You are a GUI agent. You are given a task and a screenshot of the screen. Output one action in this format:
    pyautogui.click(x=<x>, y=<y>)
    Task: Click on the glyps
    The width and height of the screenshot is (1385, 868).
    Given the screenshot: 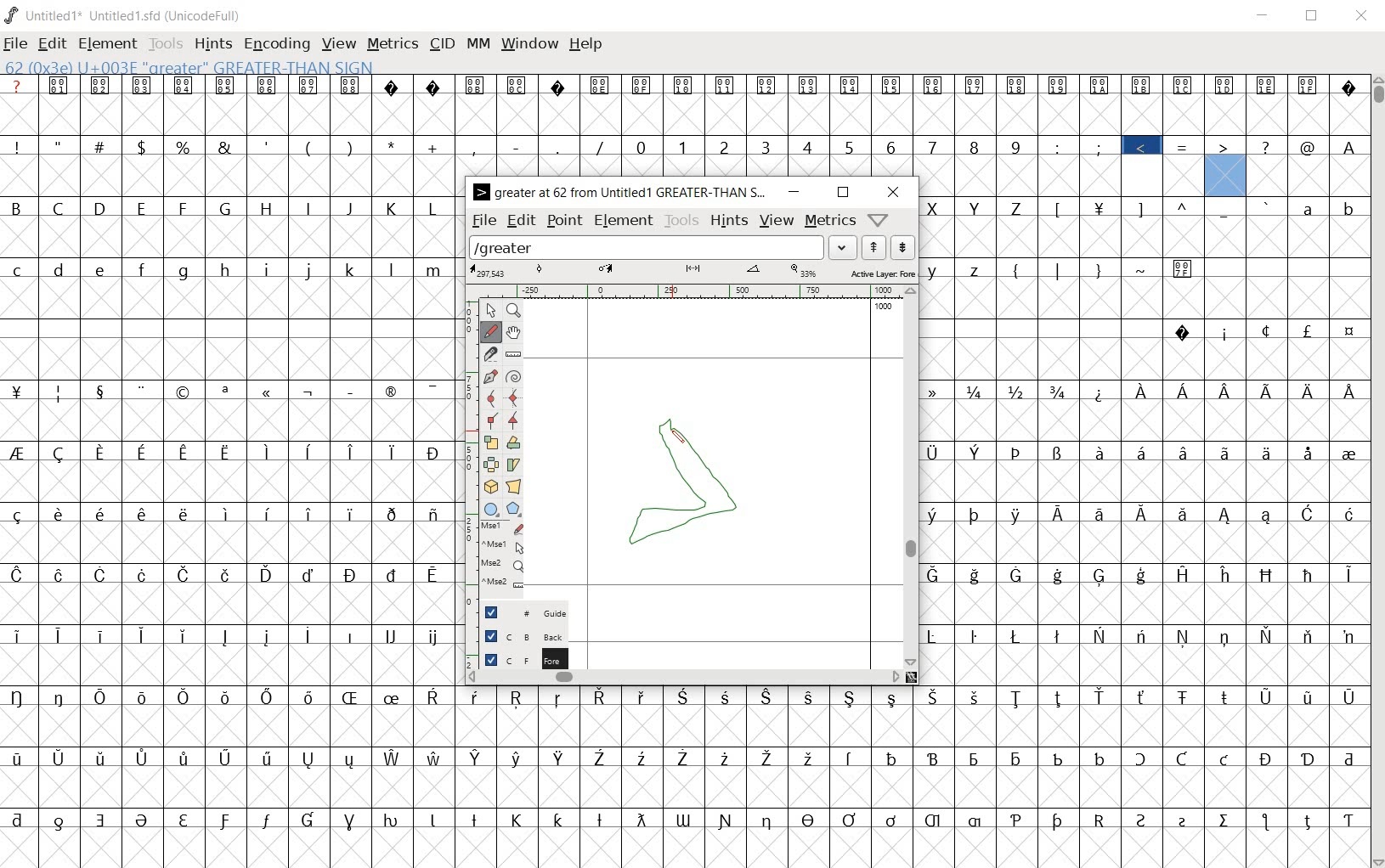 What is the action you would take?
    pyautogui.click(x=1309, y=133)
    